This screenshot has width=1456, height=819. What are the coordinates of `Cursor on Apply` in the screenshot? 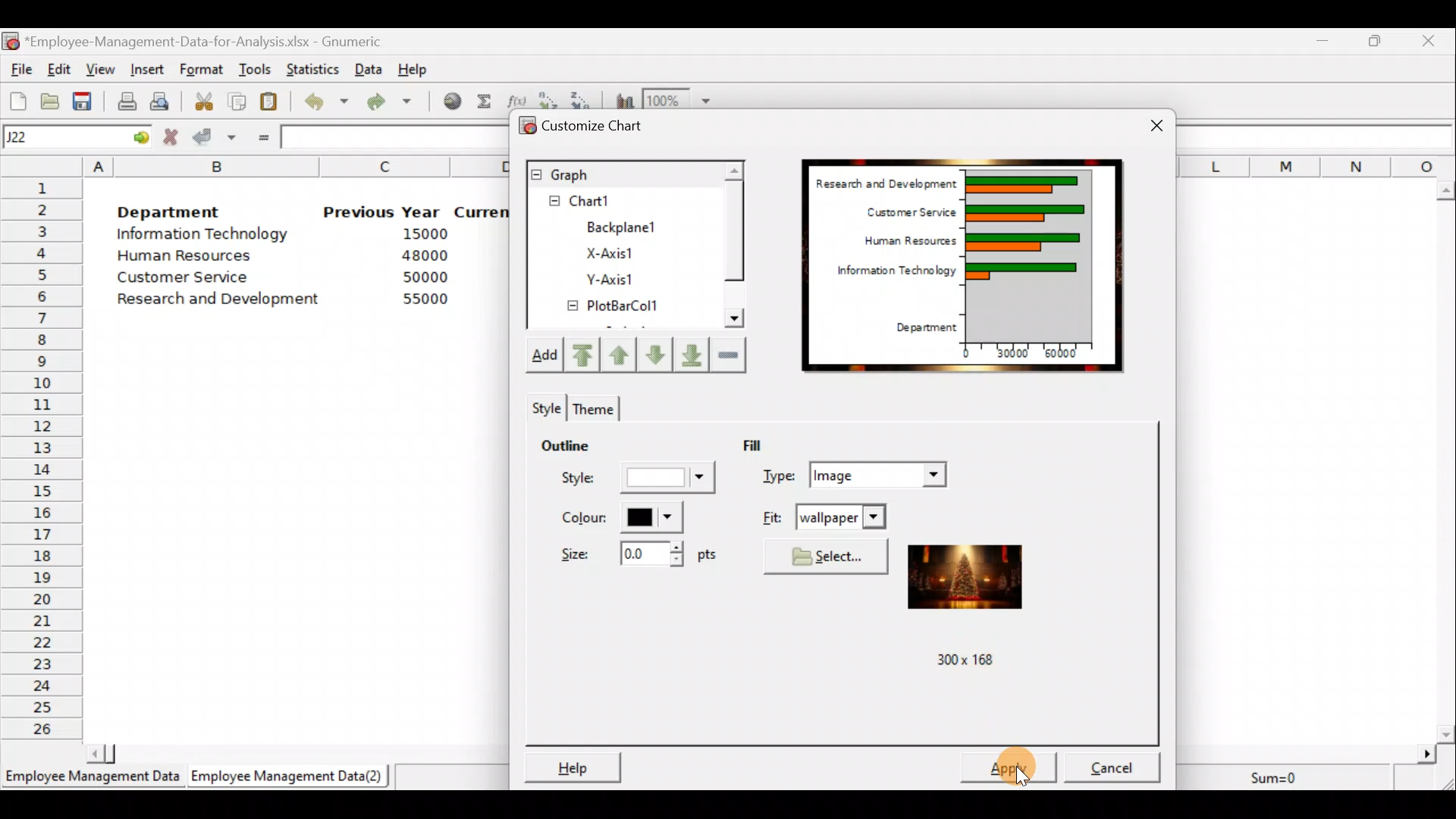 It's located at (1031, 766).